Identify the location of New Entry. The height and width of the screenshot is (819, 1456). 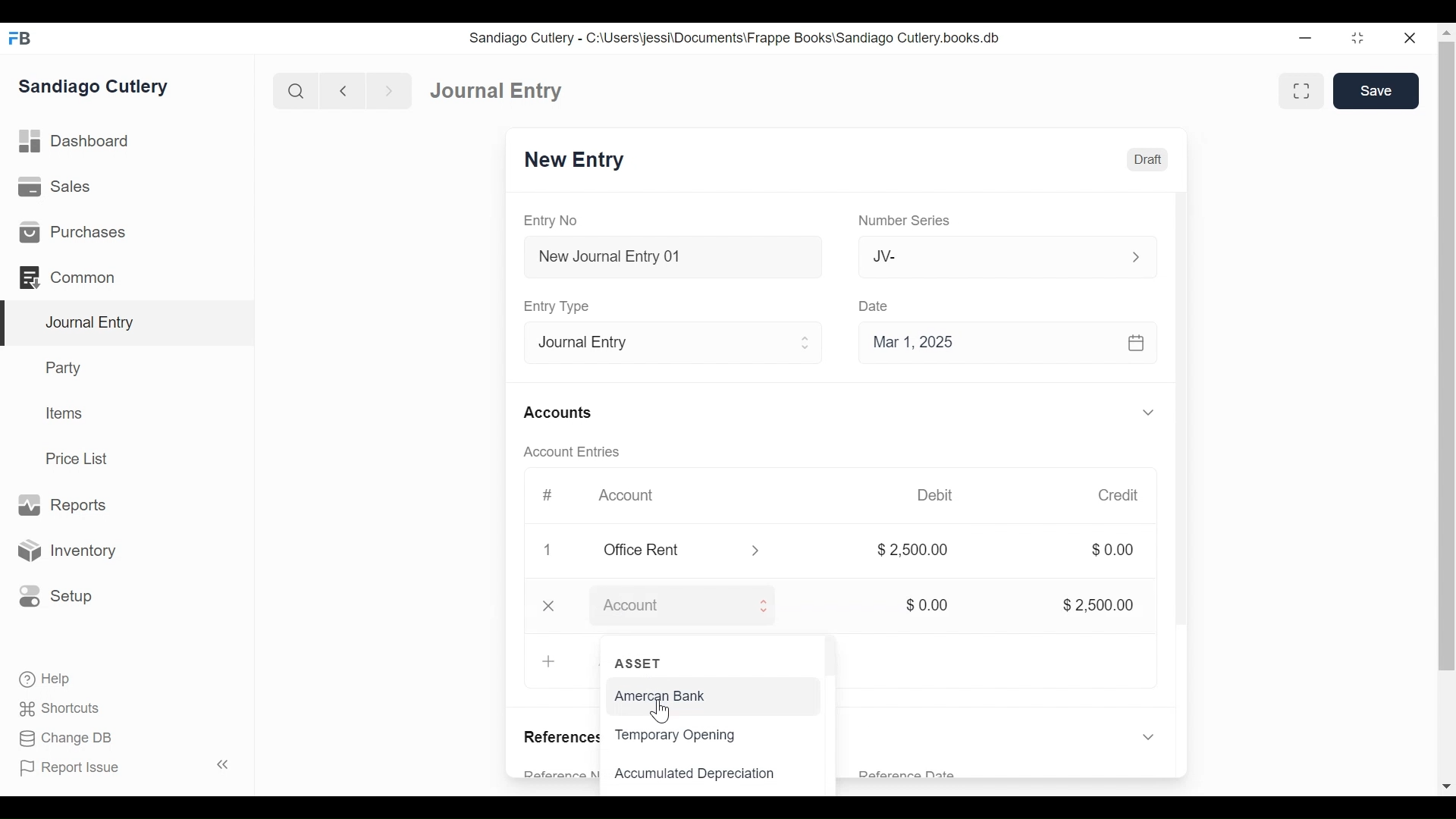
(585, 161).